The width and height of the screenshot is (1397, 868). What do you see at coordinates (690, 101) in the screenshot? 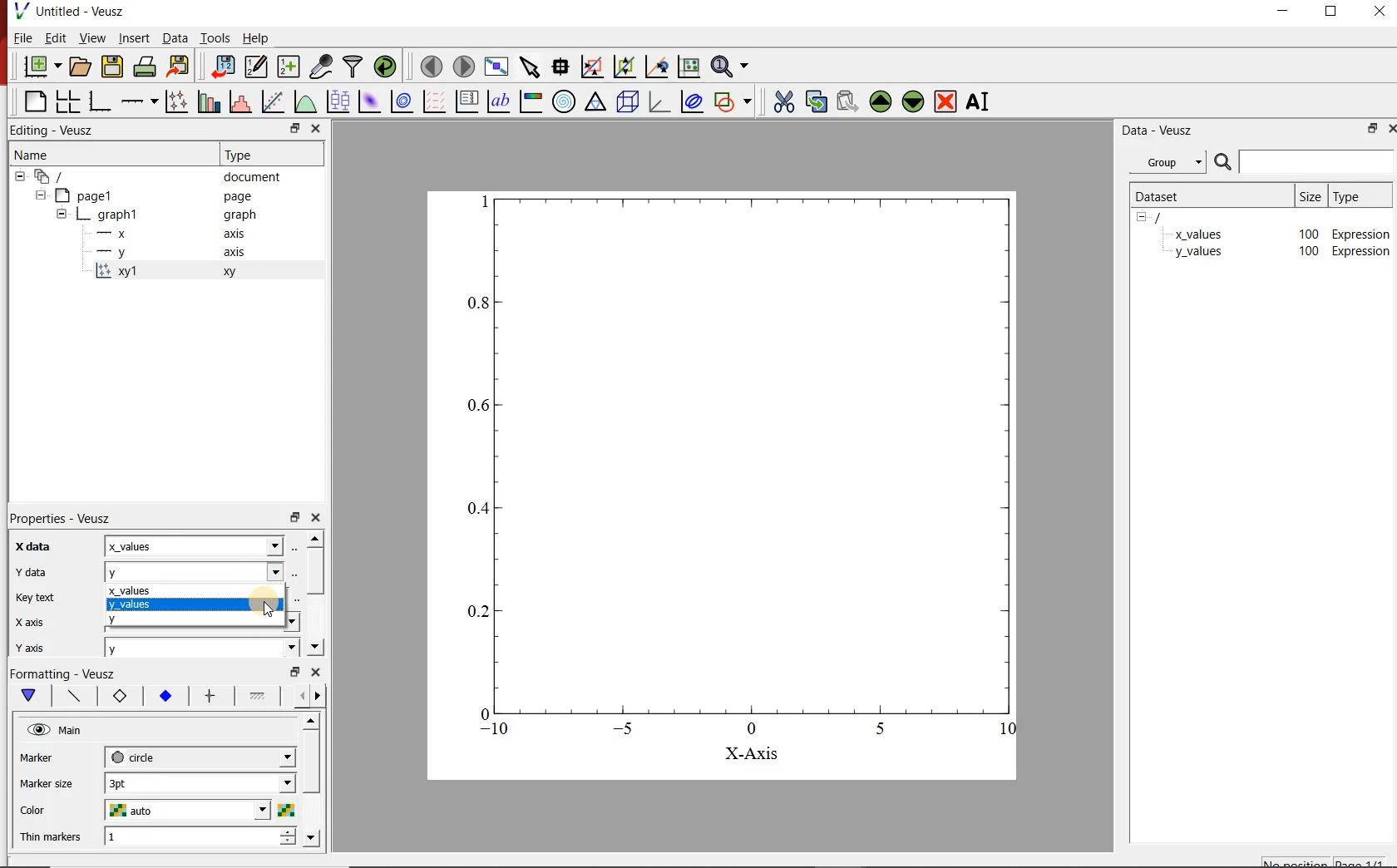
I see `plot covariance ellipse` at bounding box center [690, 101].